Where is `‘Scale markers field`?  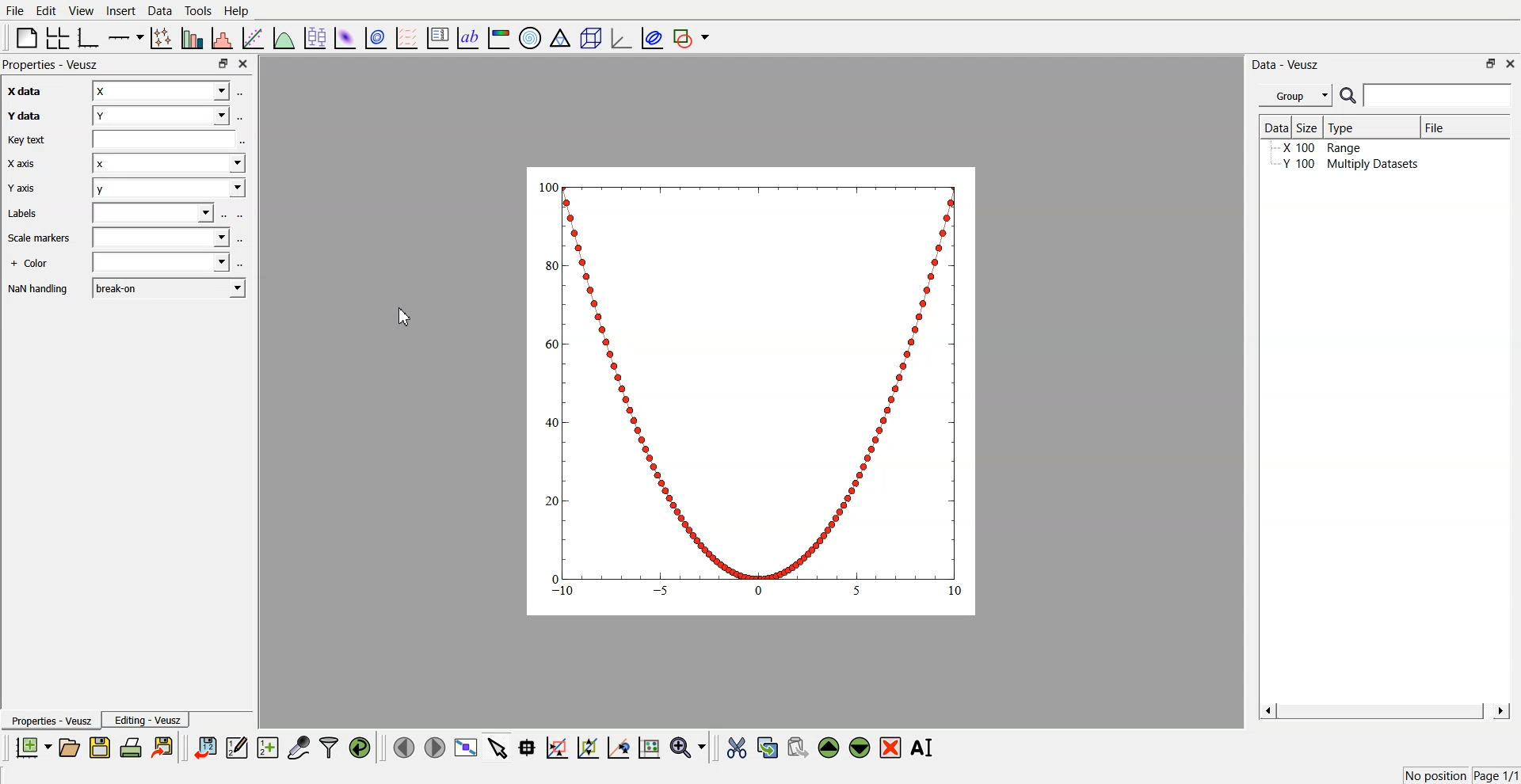 ‘Scale markers field is located at coordinates (159, 237).